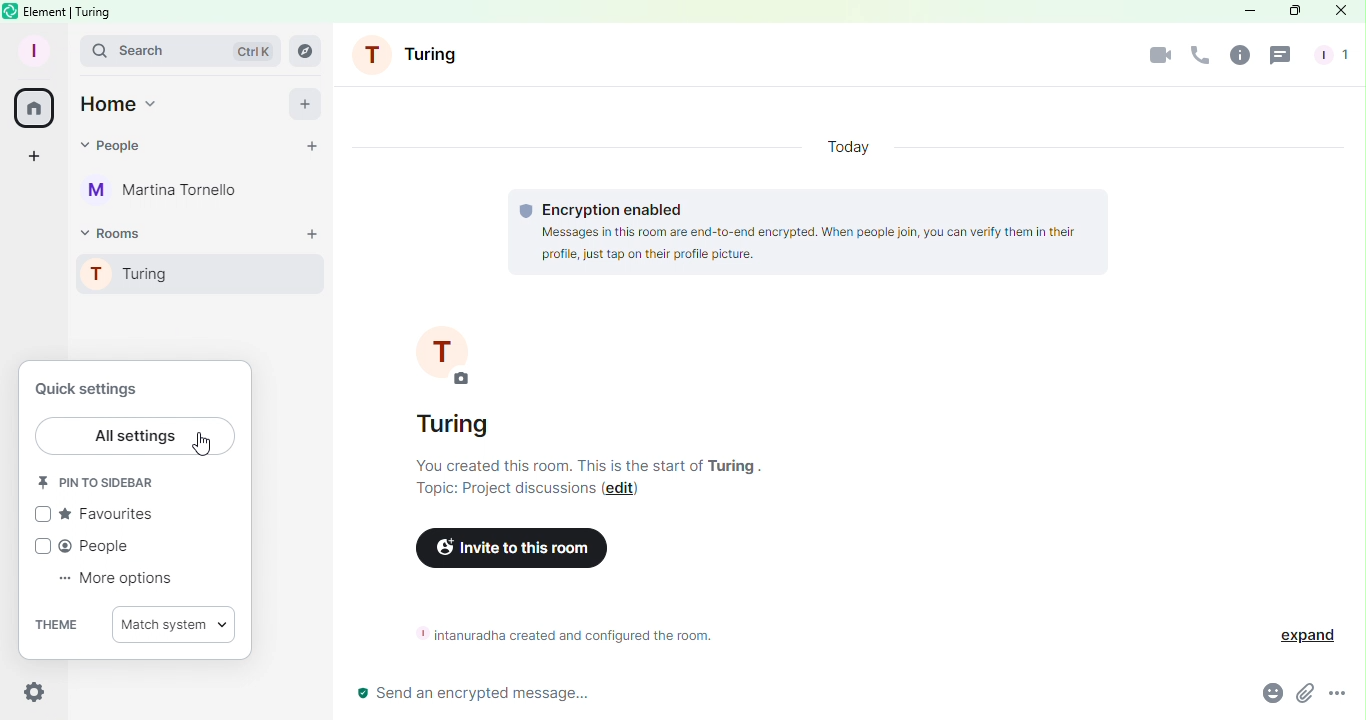 This screenshot has width=1366, height=720. What do you see at coordinates (1341, 15) in the screenshot?
I see `Close` at bounding box center [1341, 15].